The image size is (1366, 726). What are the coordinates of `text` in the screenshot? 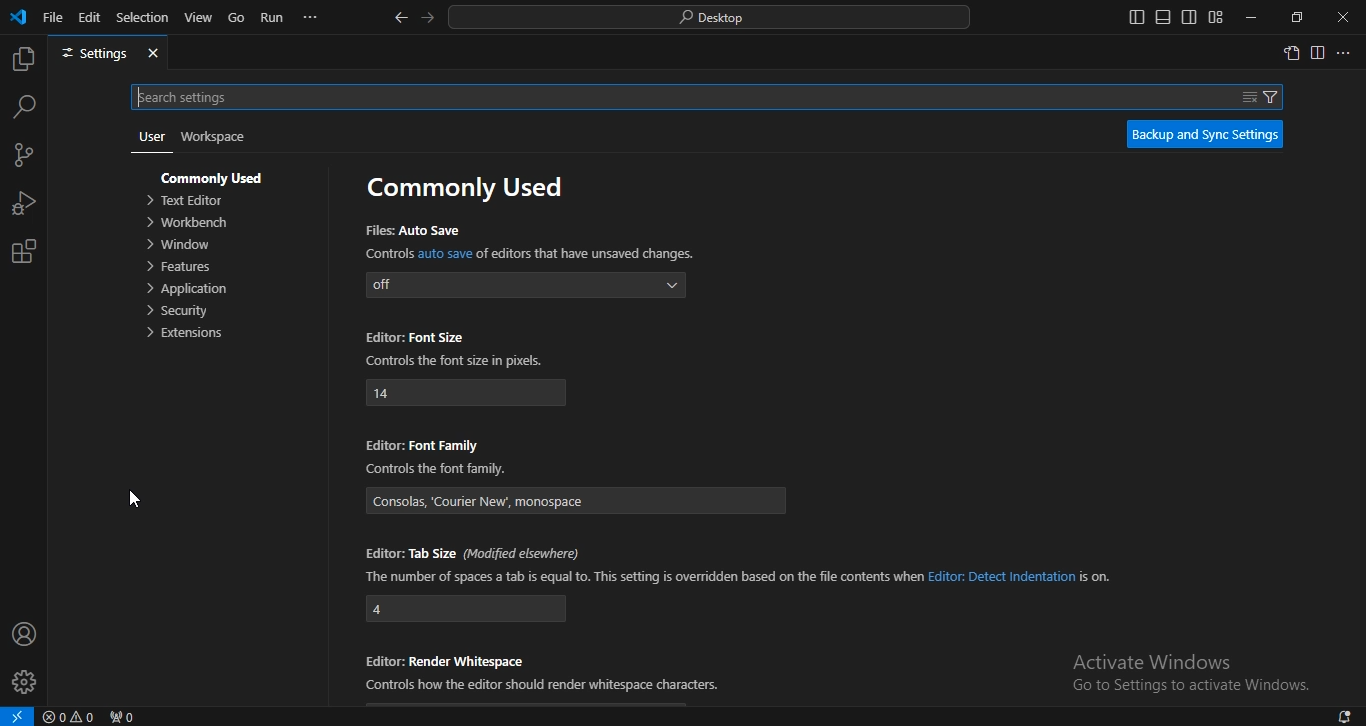 It's located at (1193, 688).